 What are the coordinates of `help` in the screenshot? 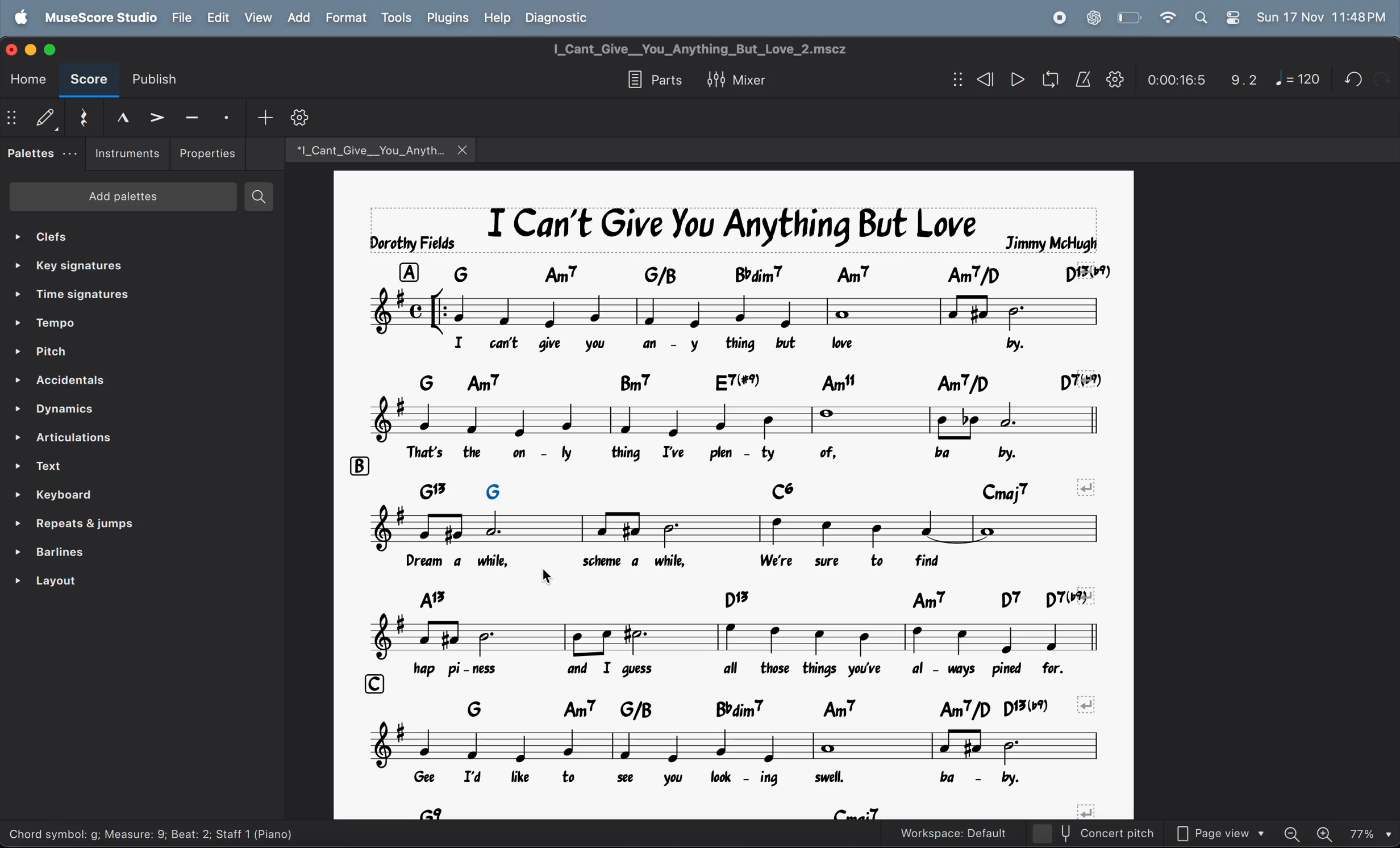 It's located at (498, 18).